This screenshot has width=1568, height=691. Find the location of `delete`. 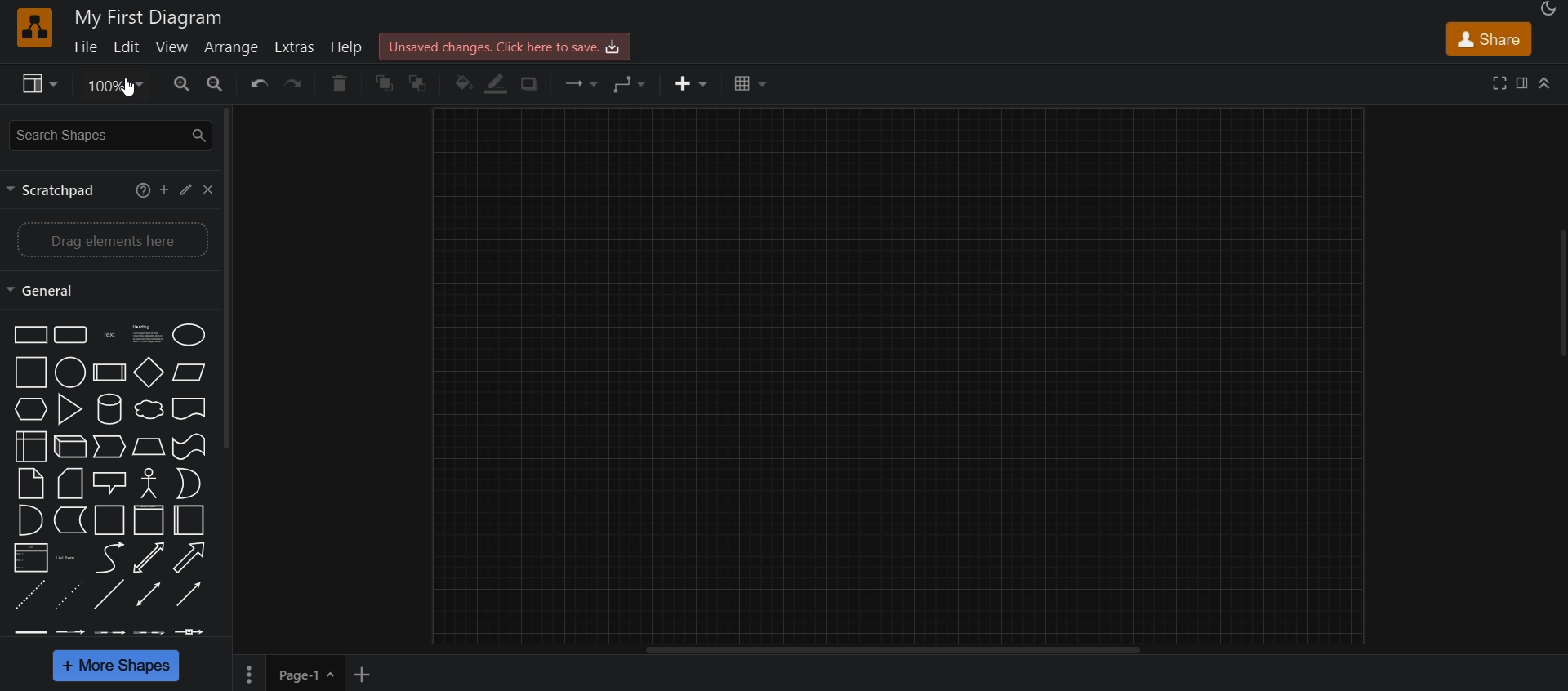

delete is located at coordinates (339, 85).